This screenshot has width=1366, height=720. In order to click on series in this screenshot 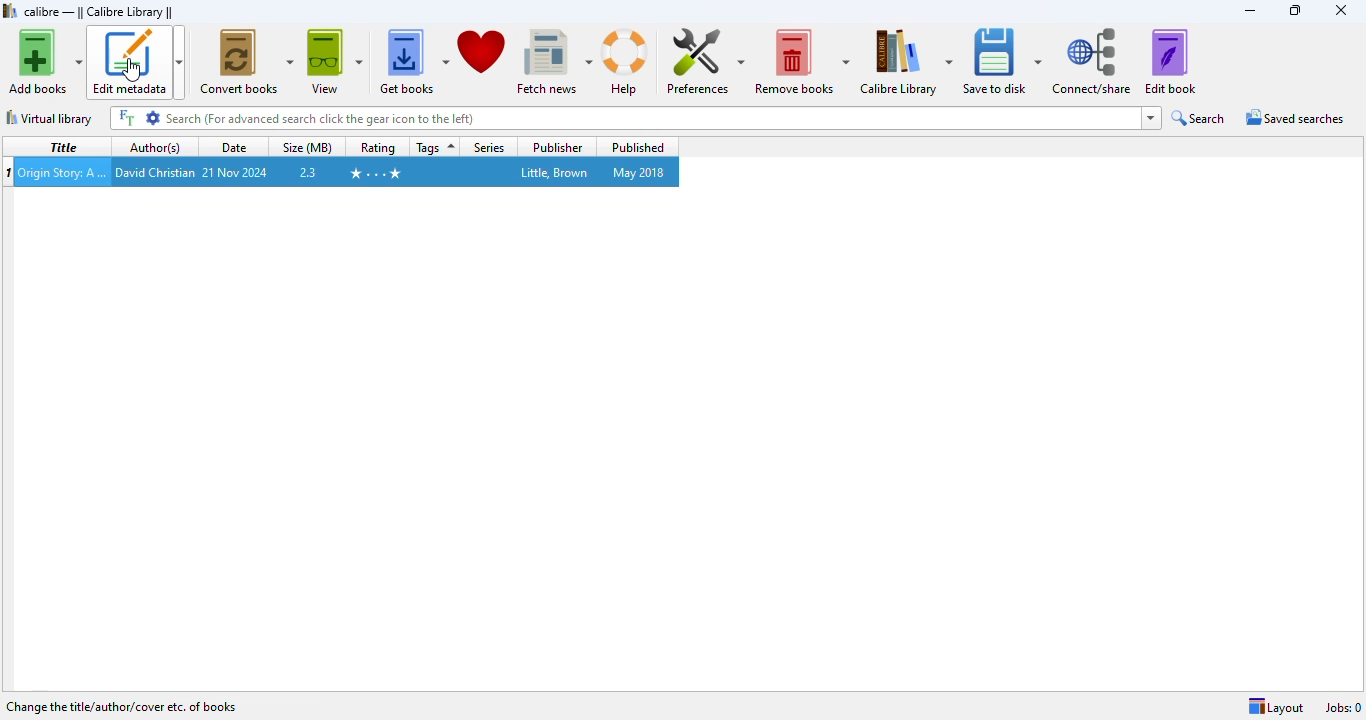, I will do `click(489, 148)`.